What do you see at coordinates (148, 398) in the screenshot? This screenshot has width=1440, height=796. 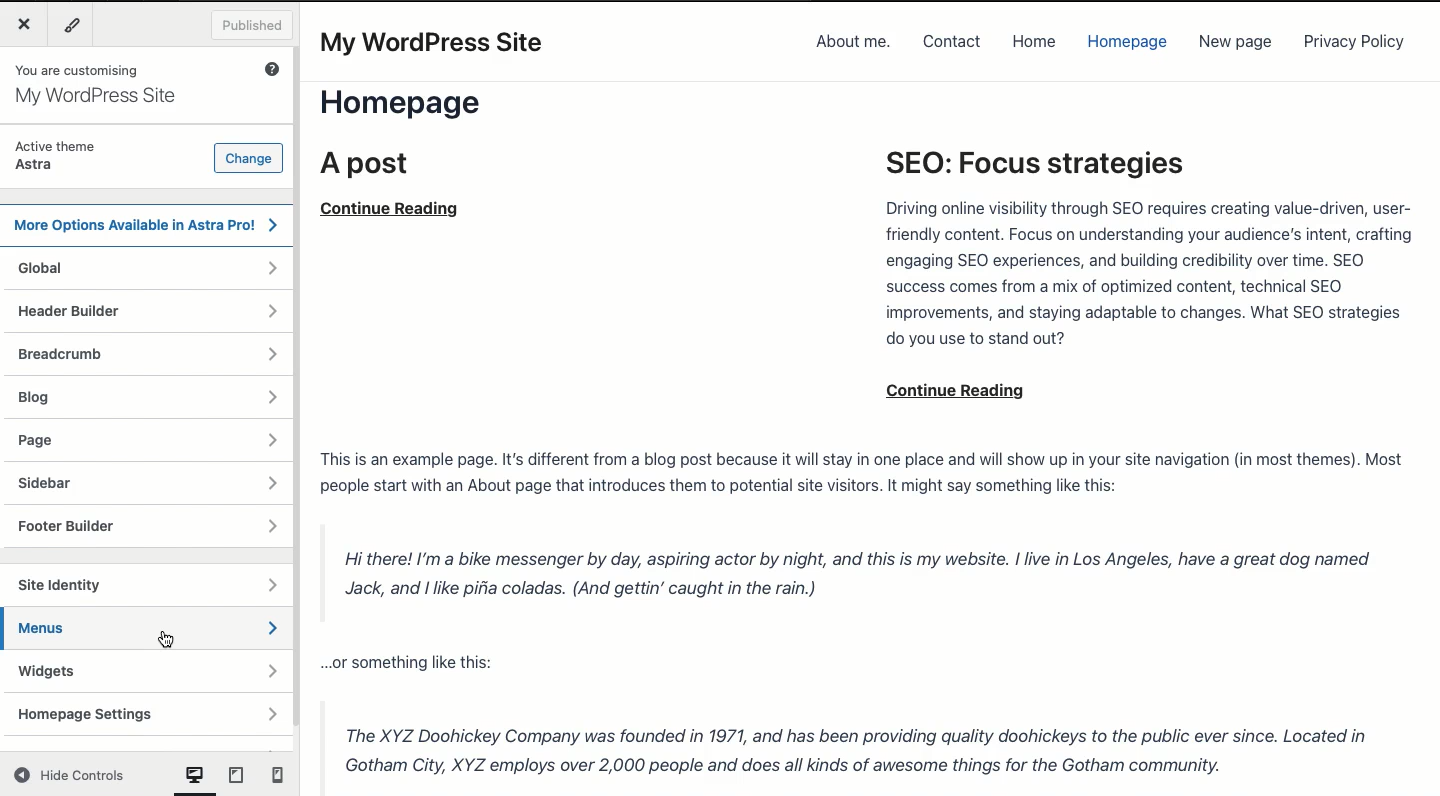 I see `Blog` at bounding box center [148, 398].